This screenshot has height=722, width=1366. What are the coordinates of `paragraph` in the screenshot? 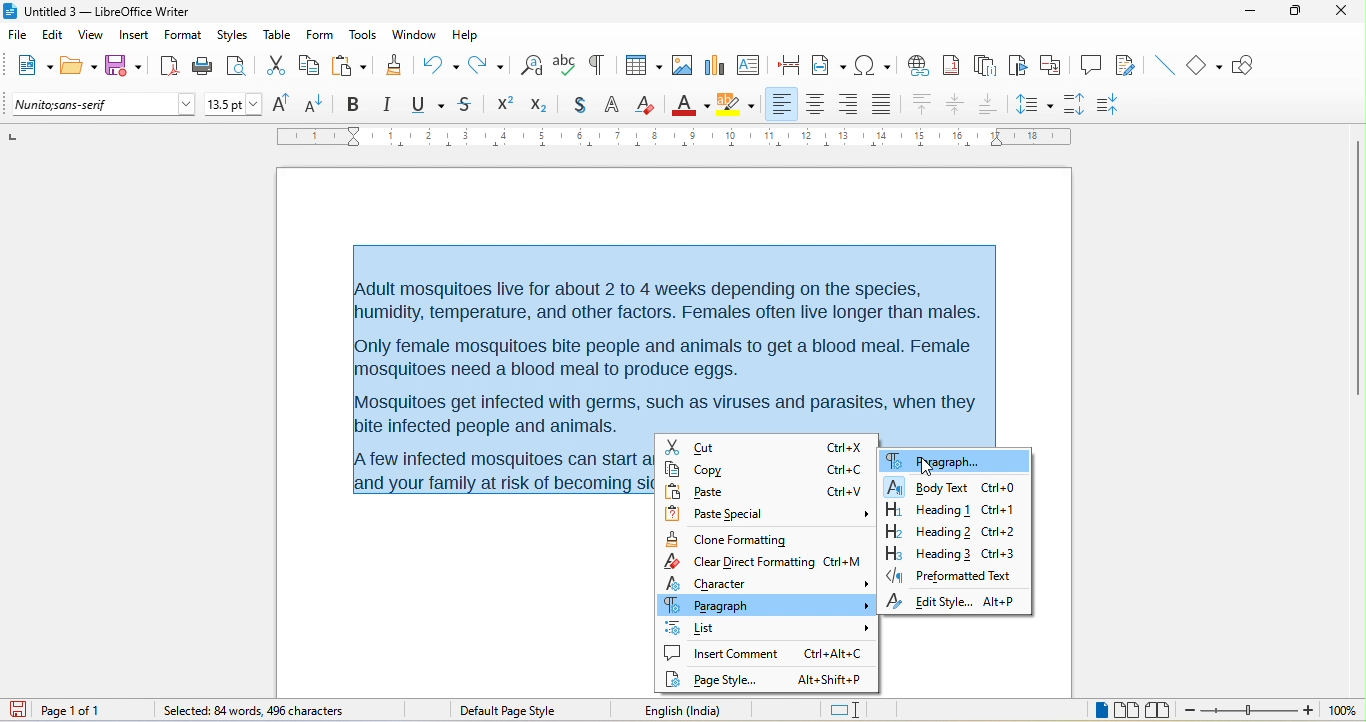 It's located at (765, 604).